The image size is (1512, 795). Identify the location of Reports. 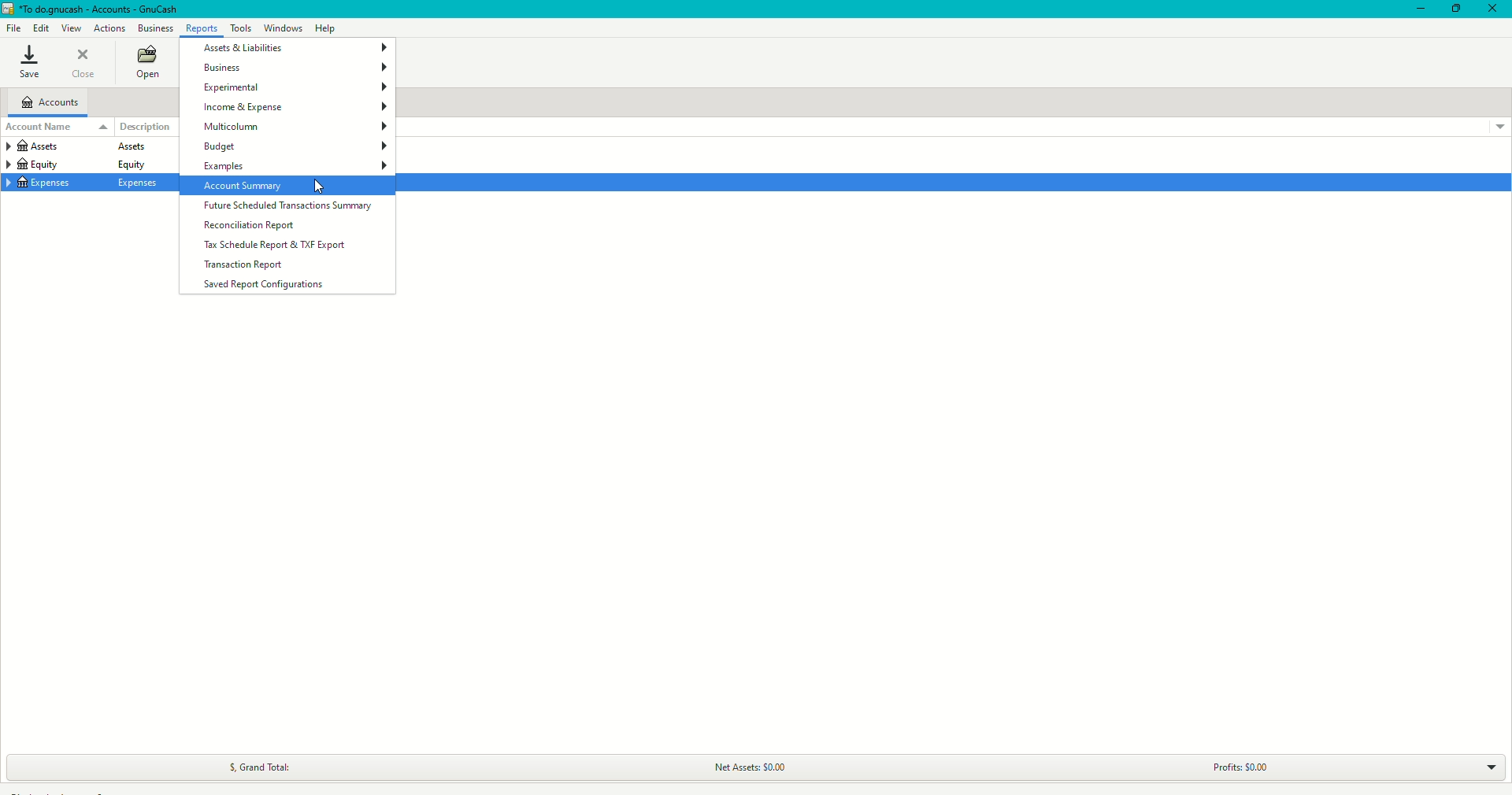
(202, 29).